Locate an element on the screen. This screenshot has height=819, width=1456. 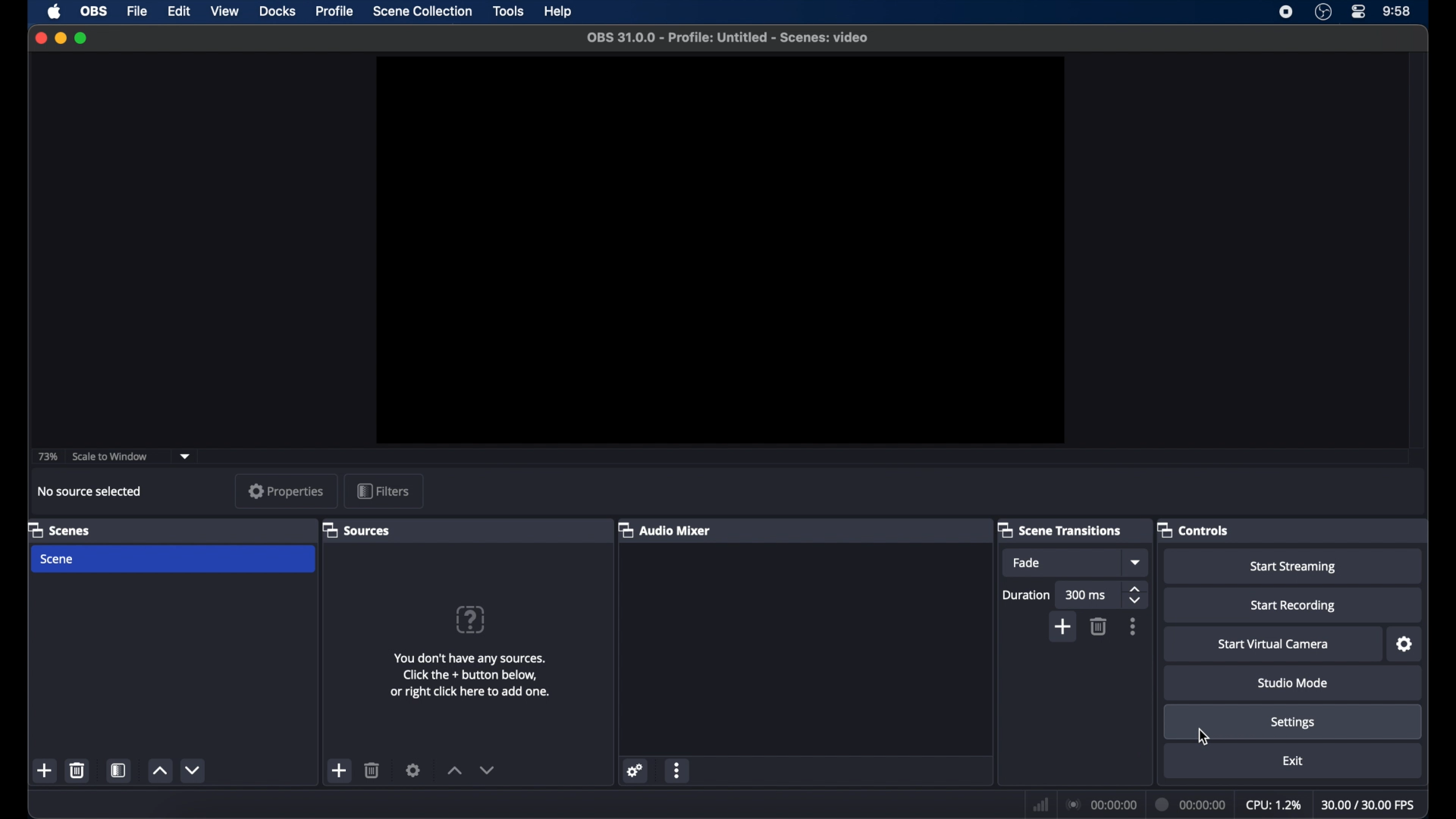
scene transitions is located at coordinates (1059, 529).